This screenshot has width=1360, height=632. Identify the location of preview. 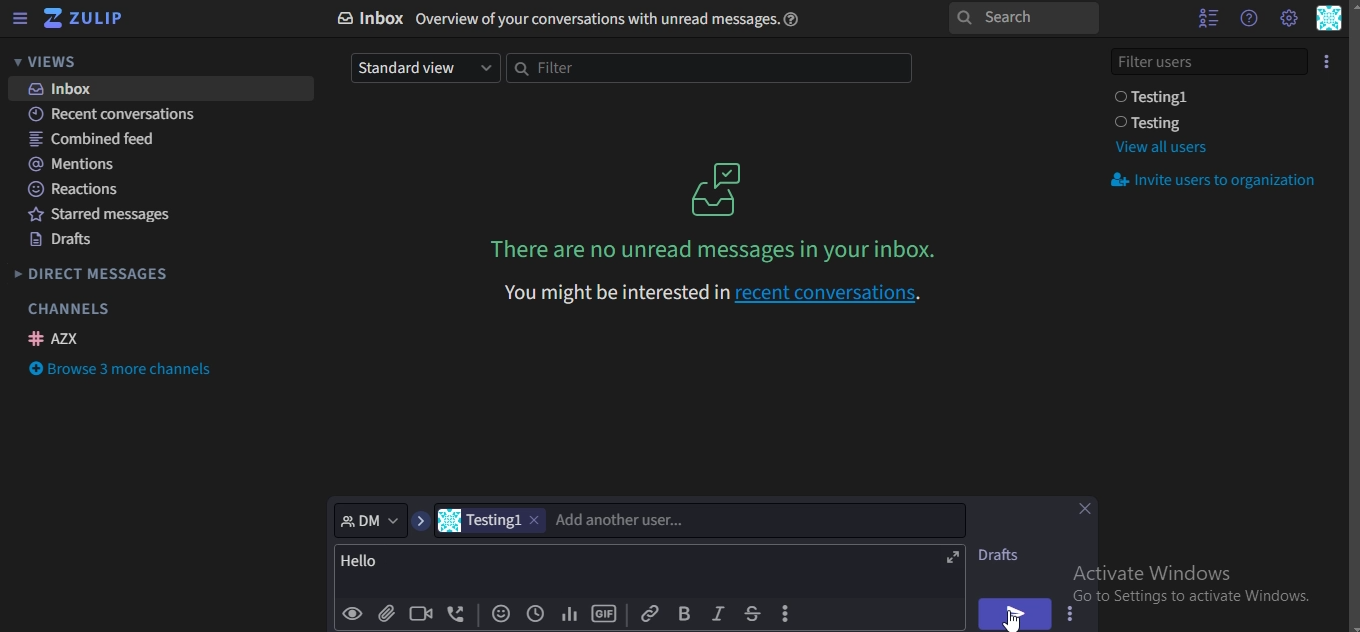
(353, 614).